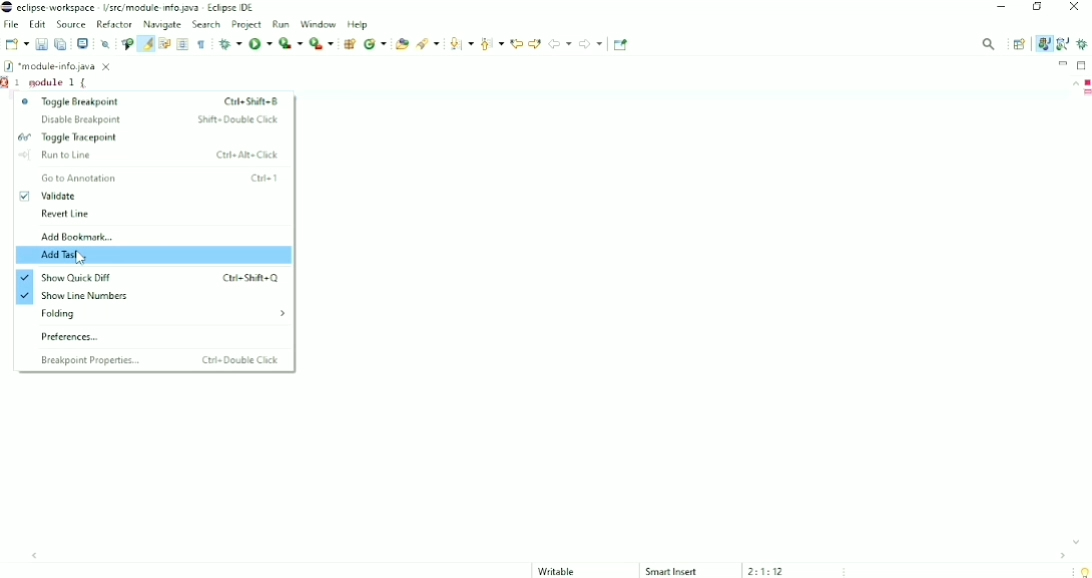 This screenshot has height=578, width=1092. What do you see at coordinates (1086, 82) in the screenshot?
I see `Errors` at bounding box center [1086, 82].